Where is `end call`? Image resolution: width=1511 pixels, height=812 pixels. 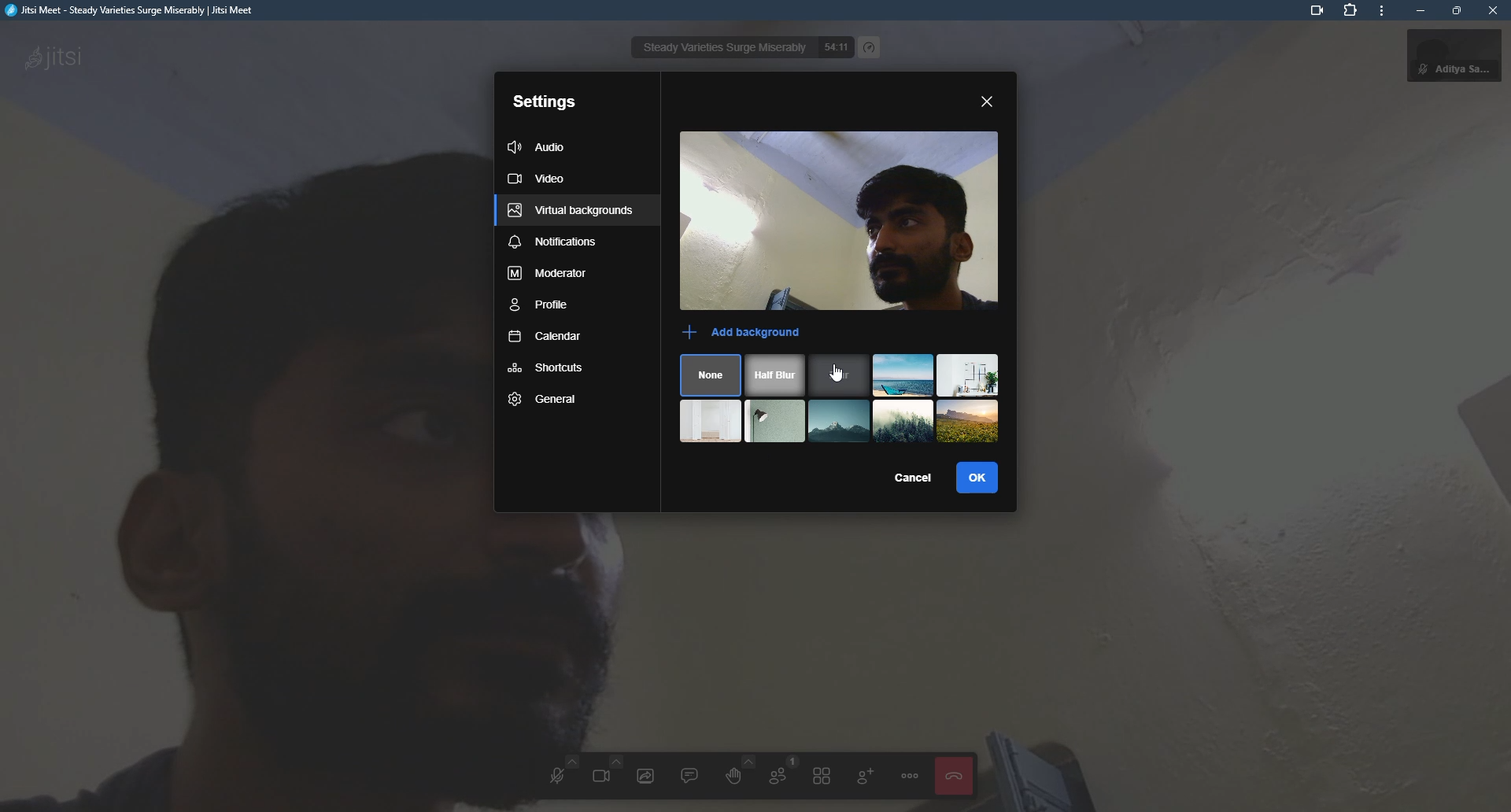
end call is located at coordinates (951, 776).